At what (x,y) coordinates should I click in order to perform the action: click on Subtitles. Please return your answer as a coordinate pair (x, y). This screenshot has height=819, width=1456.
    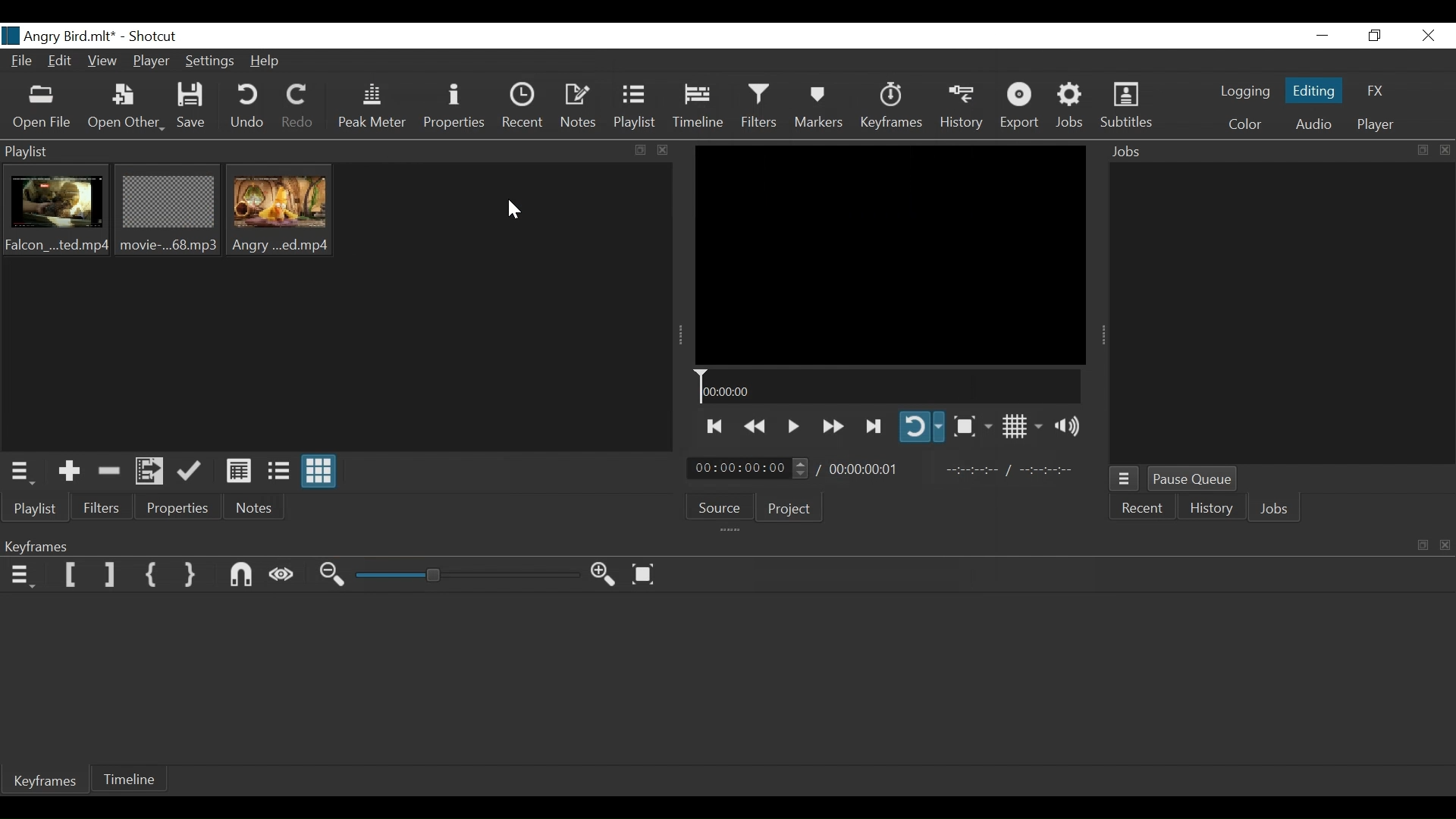
    Looking at the image, I should click on (1132, 106).